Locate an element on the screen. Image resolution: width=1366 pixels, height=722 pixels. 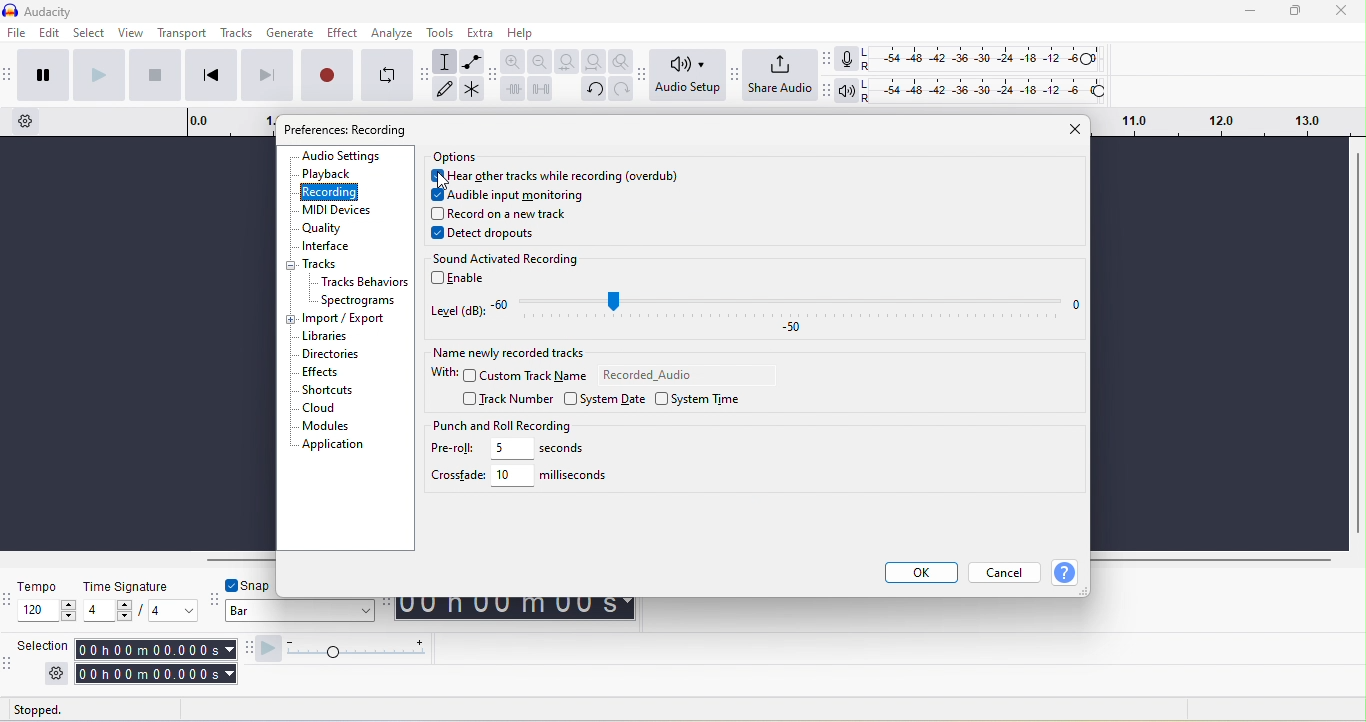
help is located at coordinates (1063, 572).